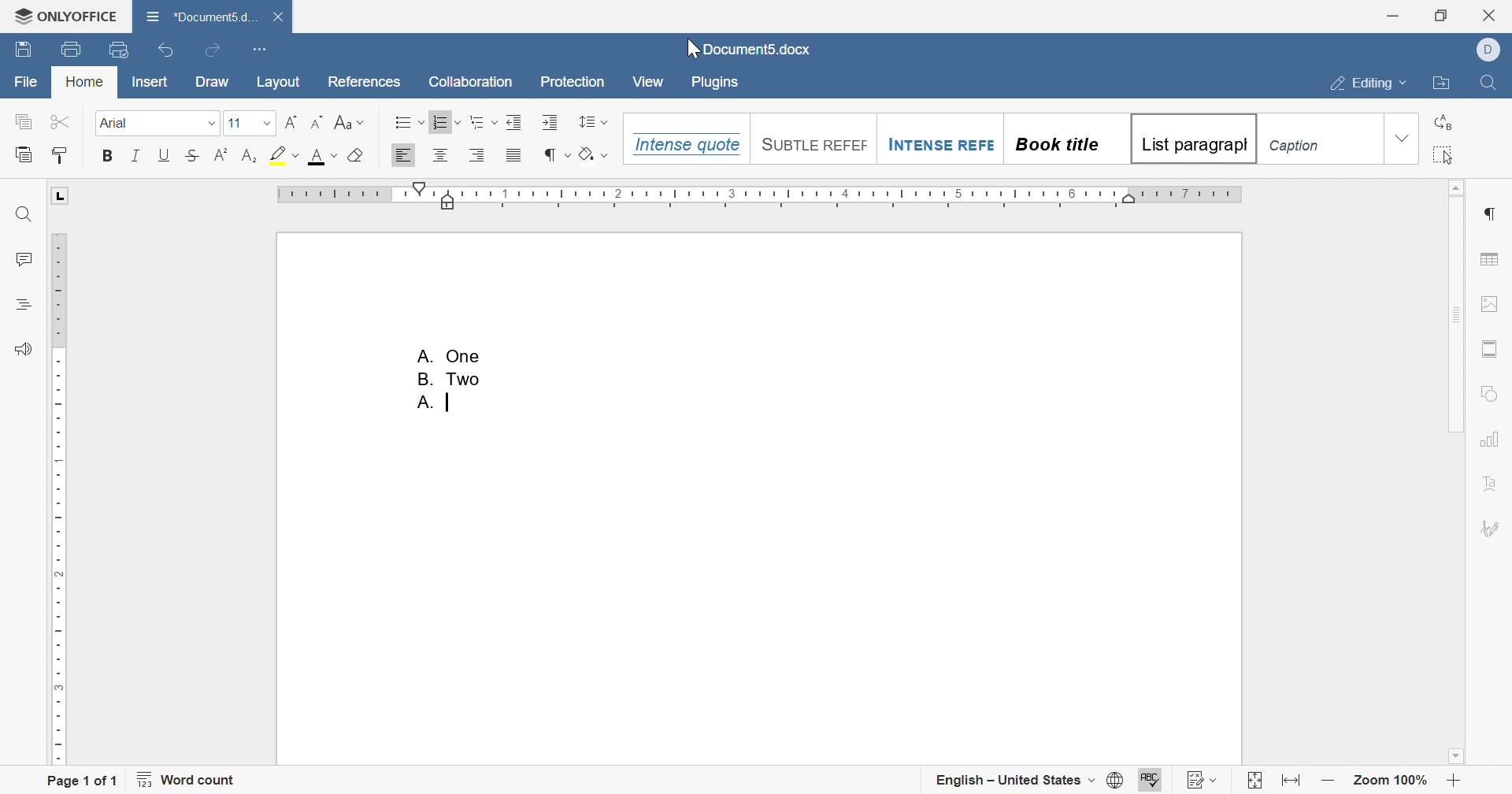 Image resolution: width=1512 pixels, height=794 pixels. I want to click on Align Right, so click(477, 154).